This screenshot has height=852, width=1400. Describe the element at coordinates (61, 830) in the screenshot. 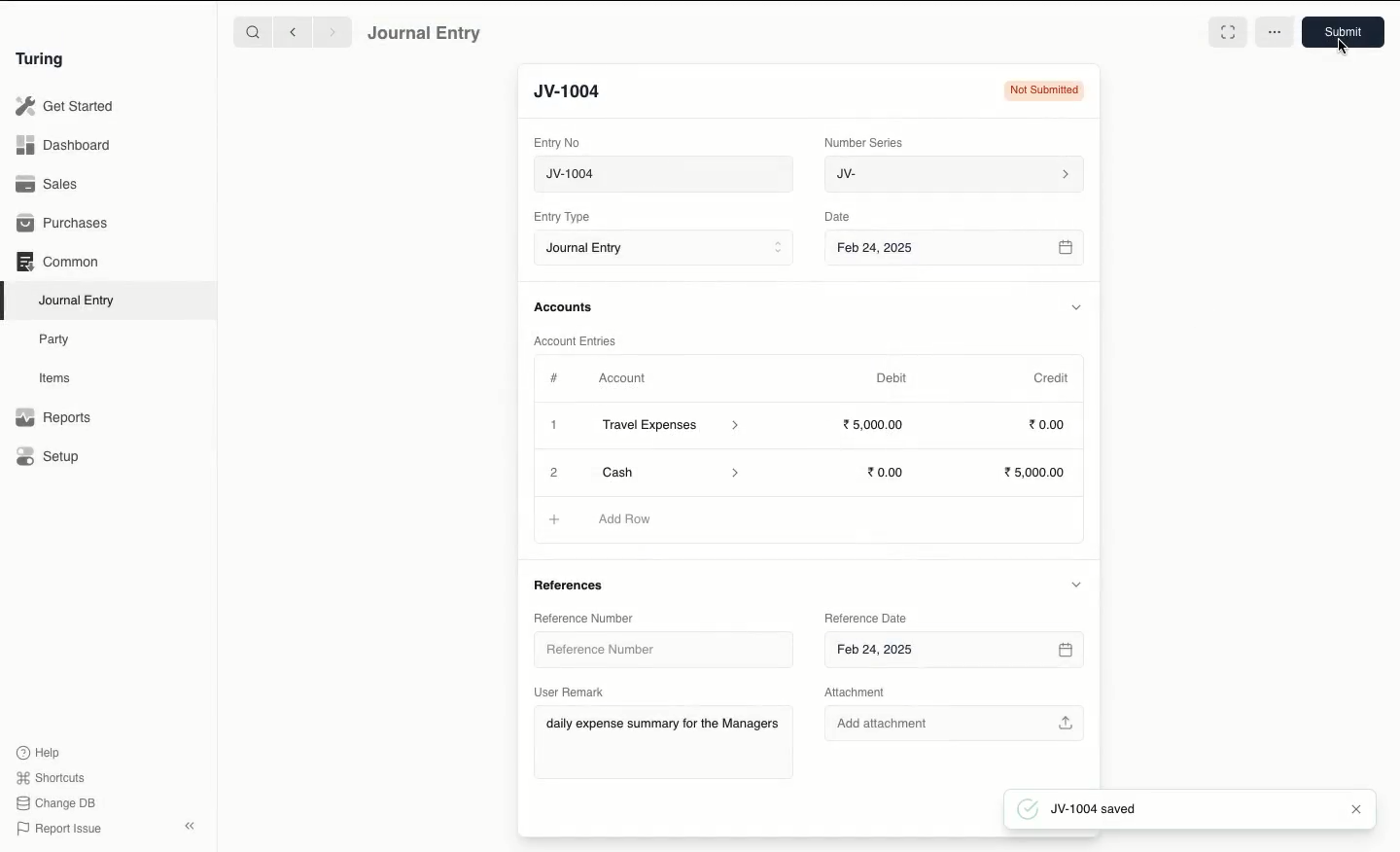

I see `Report Issue` at that location.